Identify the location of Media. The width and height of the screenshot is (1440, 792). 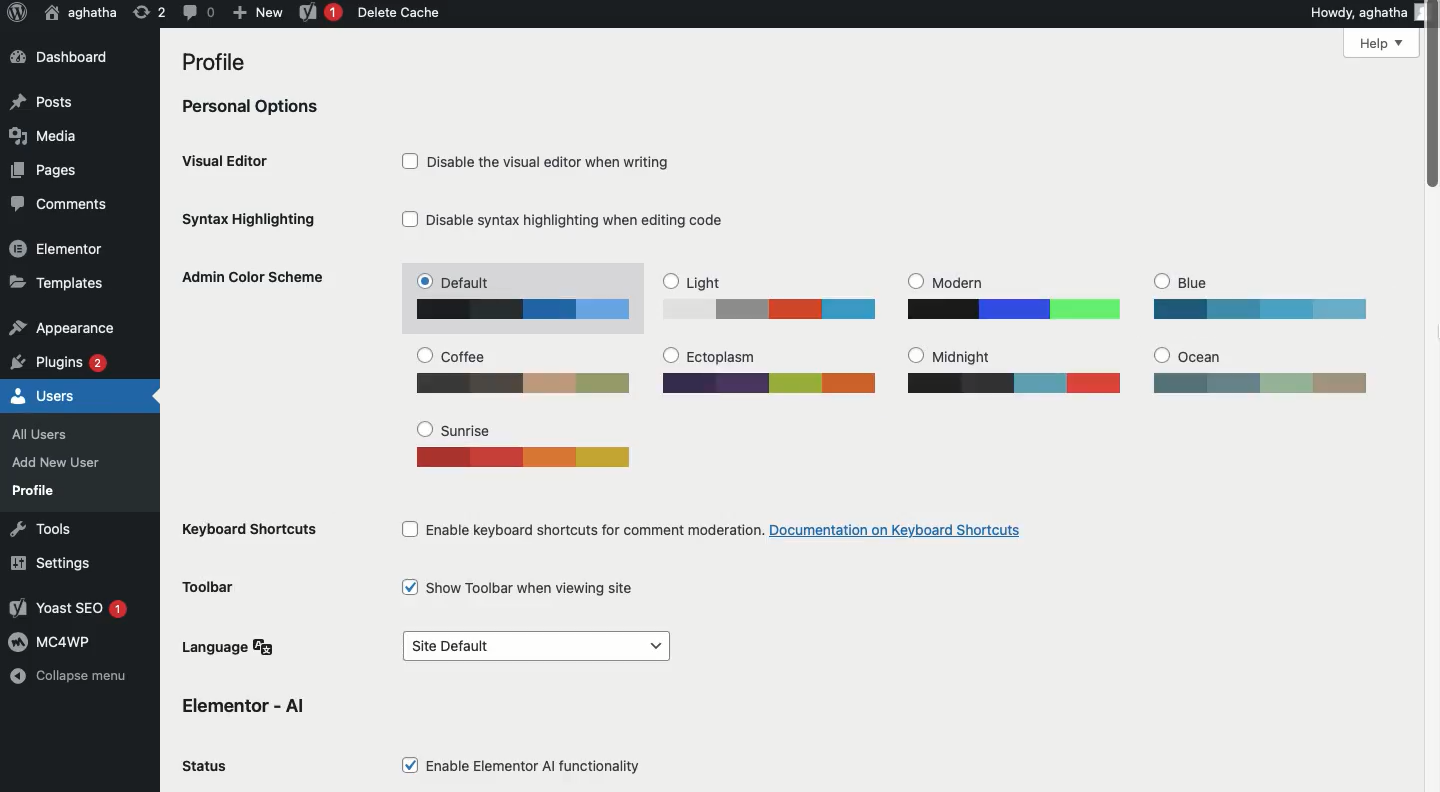
(41, 135).